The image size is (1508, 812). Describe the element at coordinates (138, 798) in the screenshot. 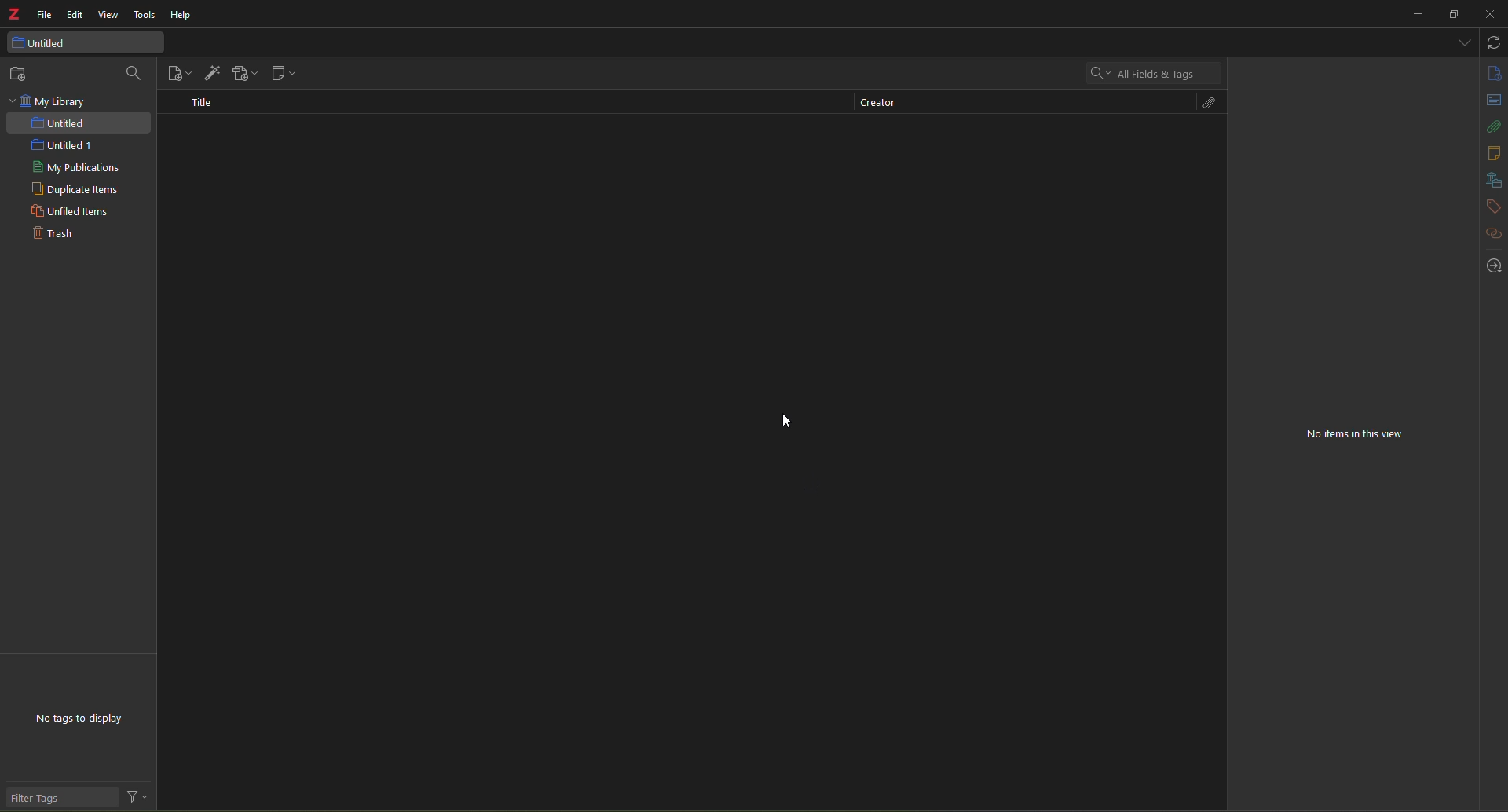

I see `actions` at that location.